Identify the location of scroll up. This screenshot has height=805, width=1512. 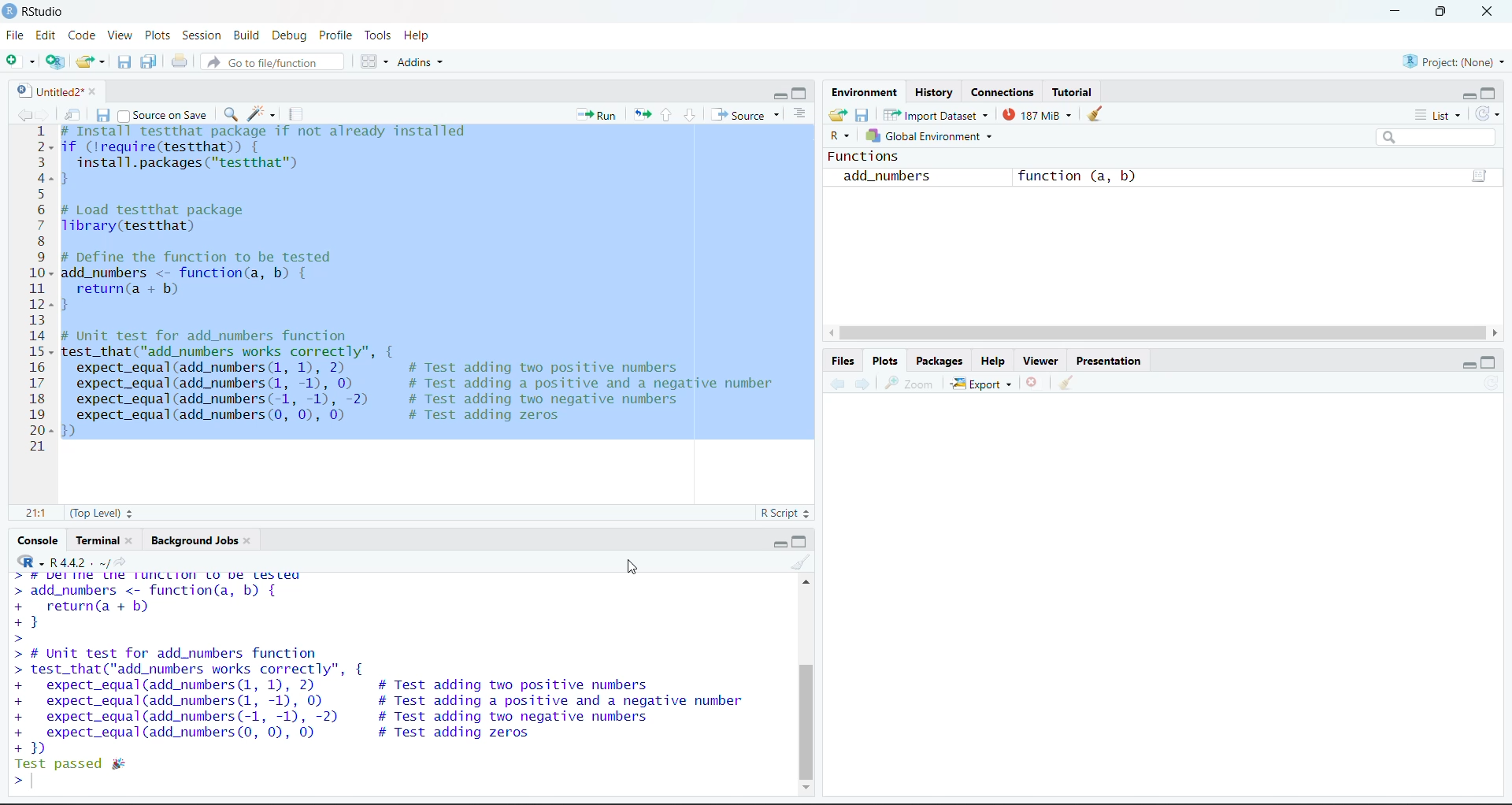
(807, 582).